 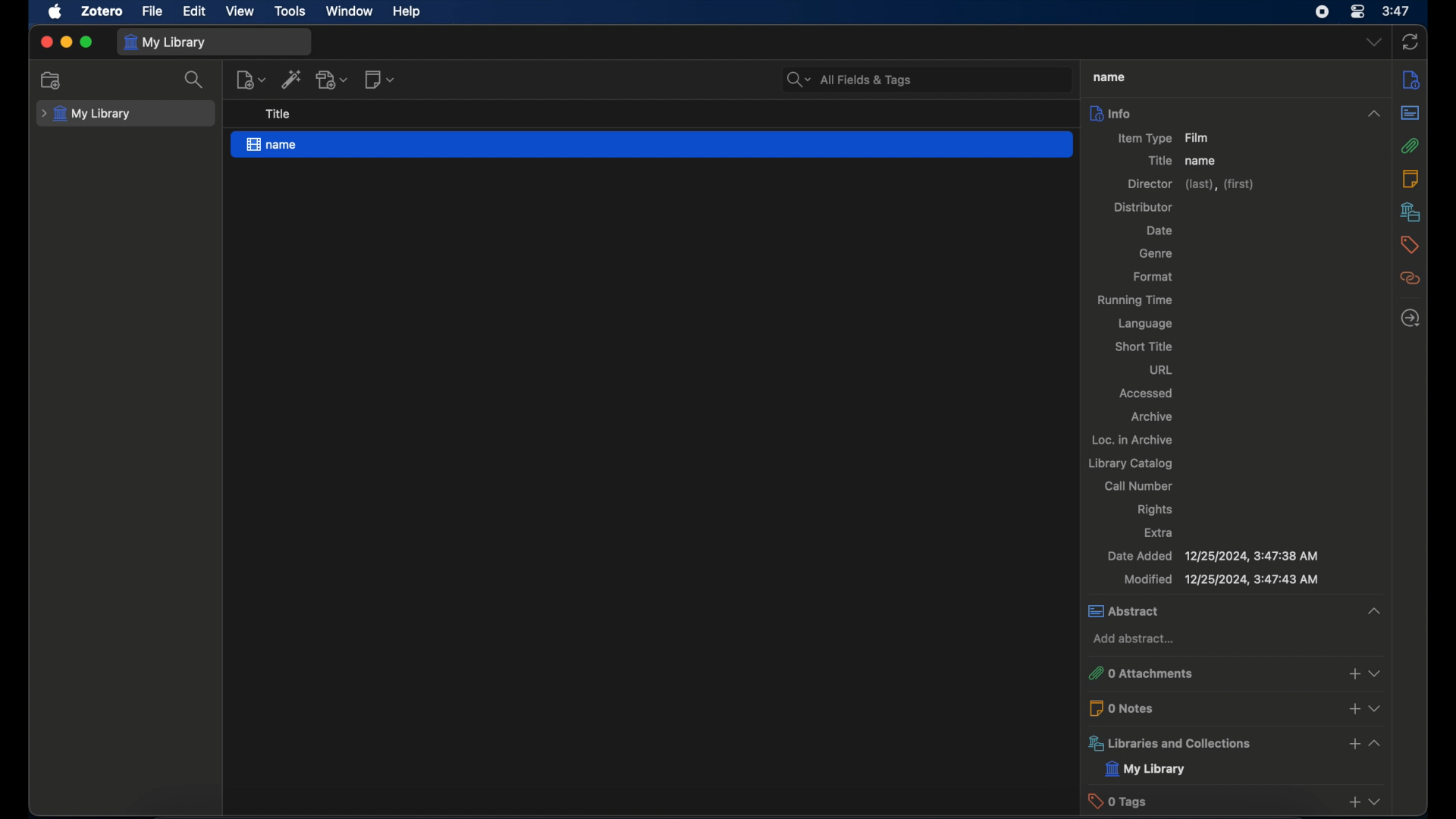 What do you see at coordinates (333, 80) in the screenshot?
I see `add attachment` at bounding box center [333, 80].